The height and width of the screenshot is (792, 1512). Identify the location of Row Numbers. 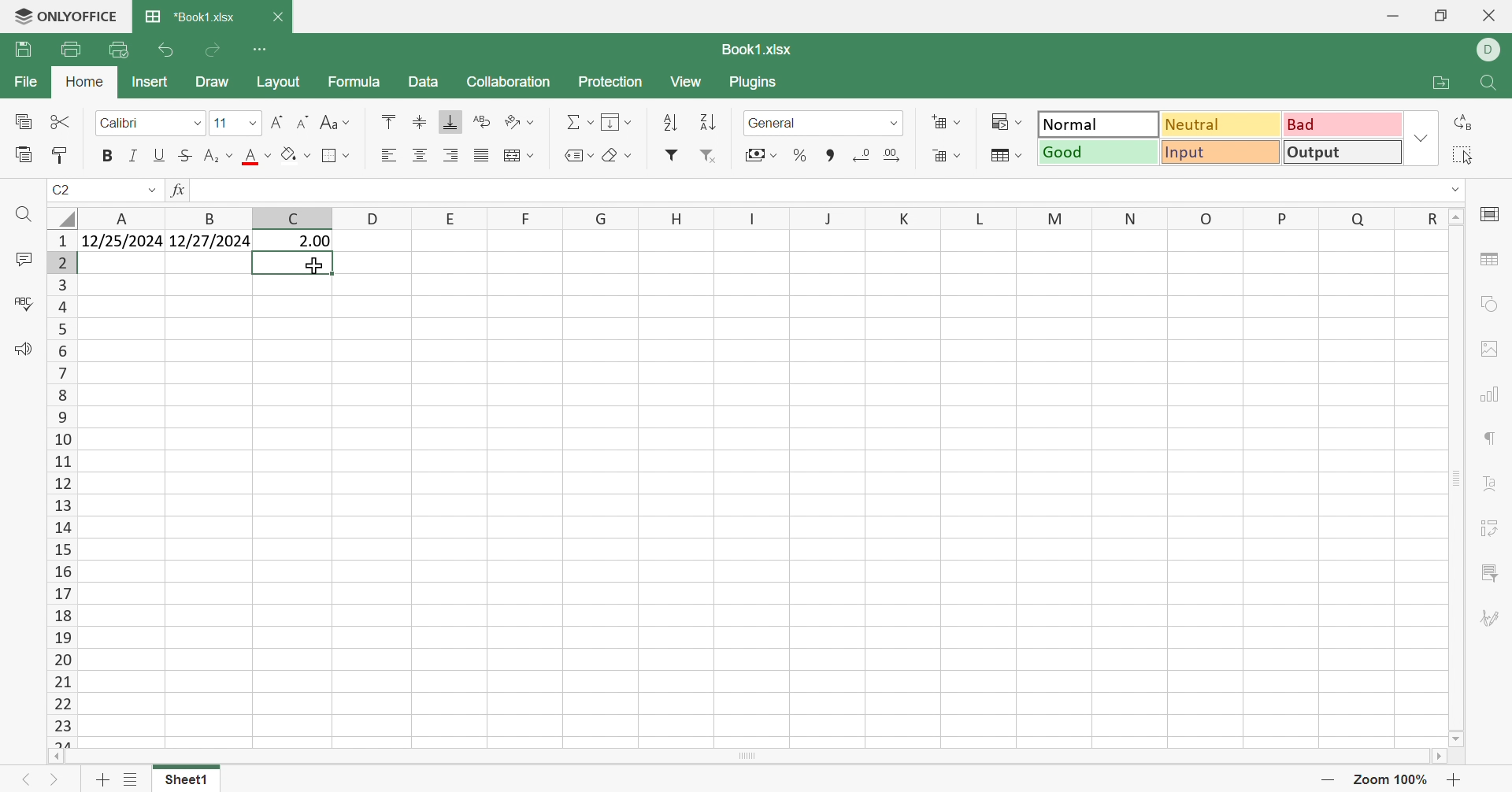
(59, 491).